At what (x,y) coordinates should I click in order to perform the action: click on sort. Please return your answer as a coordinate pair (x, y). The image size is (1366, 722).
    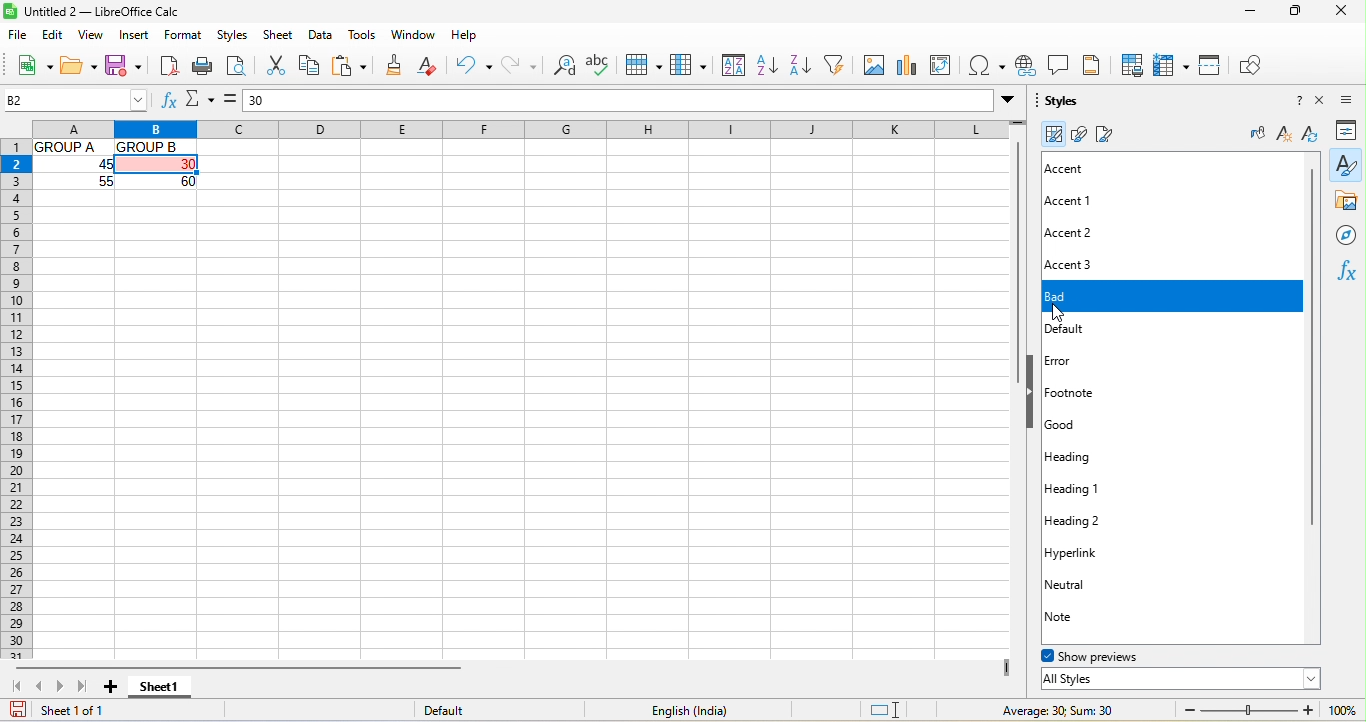
    Looking at the image, I should click on (730, 66).